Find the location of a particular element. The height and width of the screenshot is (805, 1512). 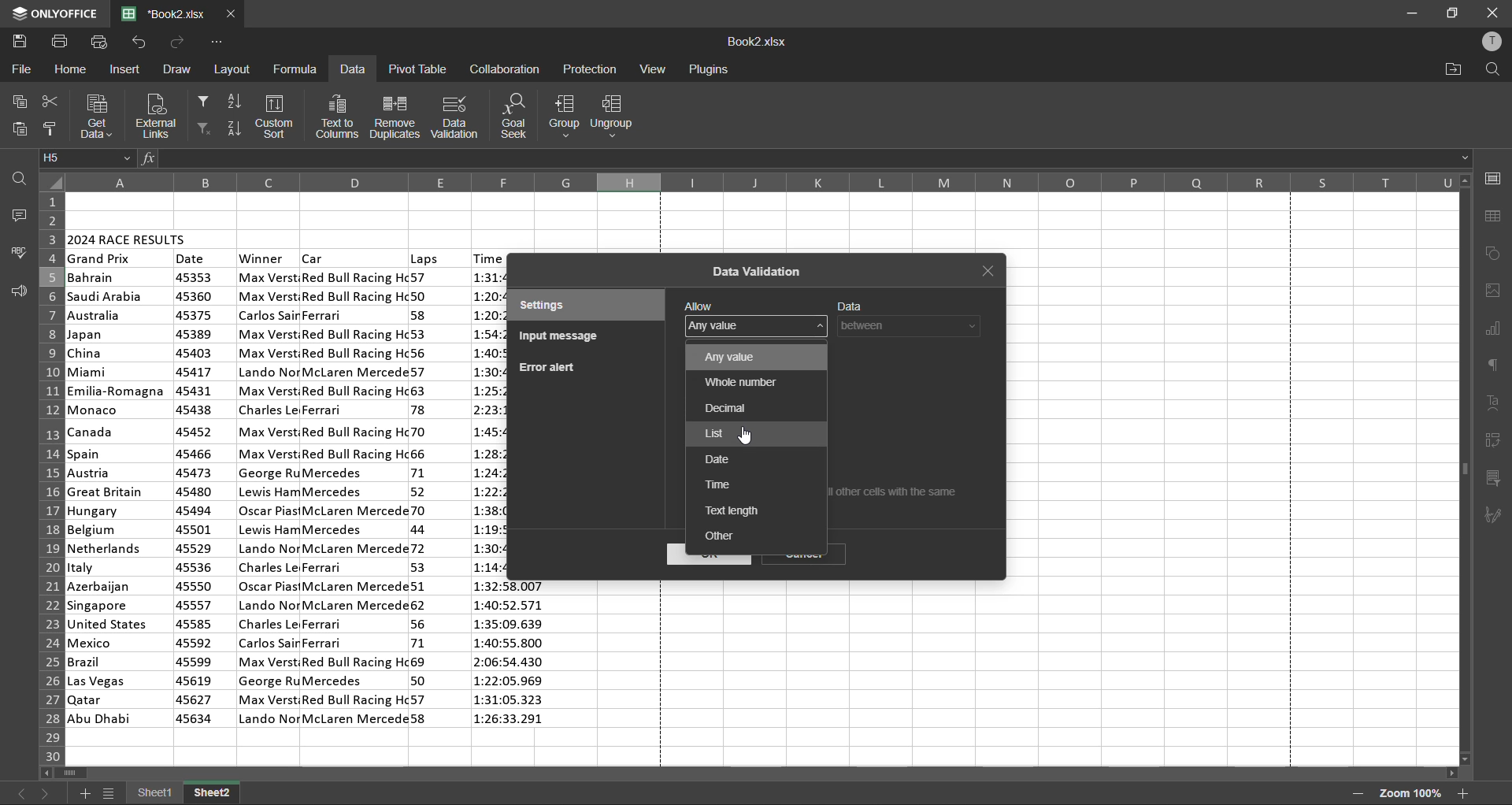

filename is located at coordinates (169, 13).